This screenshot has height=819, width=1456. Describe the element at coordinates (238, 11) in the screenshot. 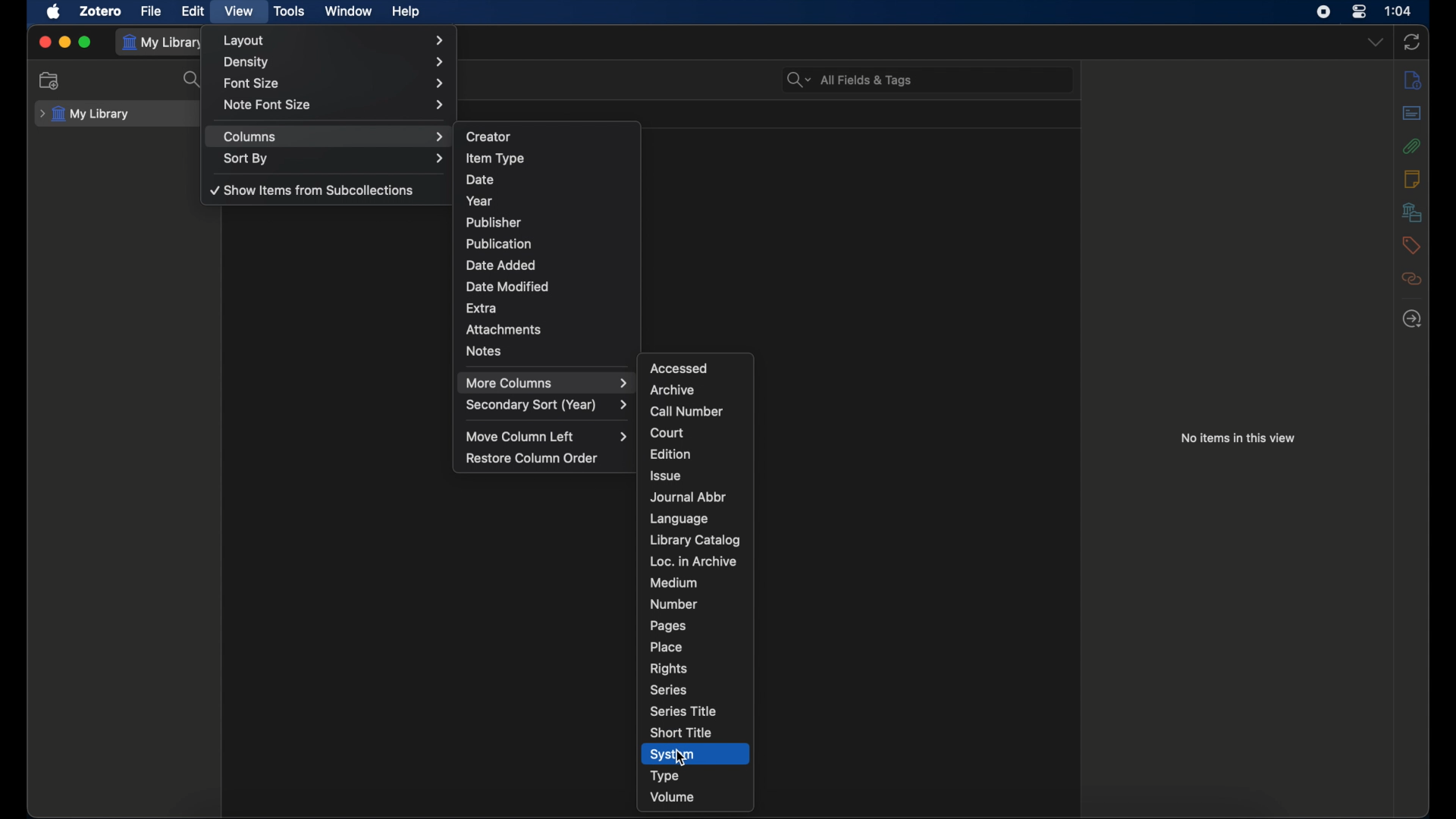

I see `view` at that location.